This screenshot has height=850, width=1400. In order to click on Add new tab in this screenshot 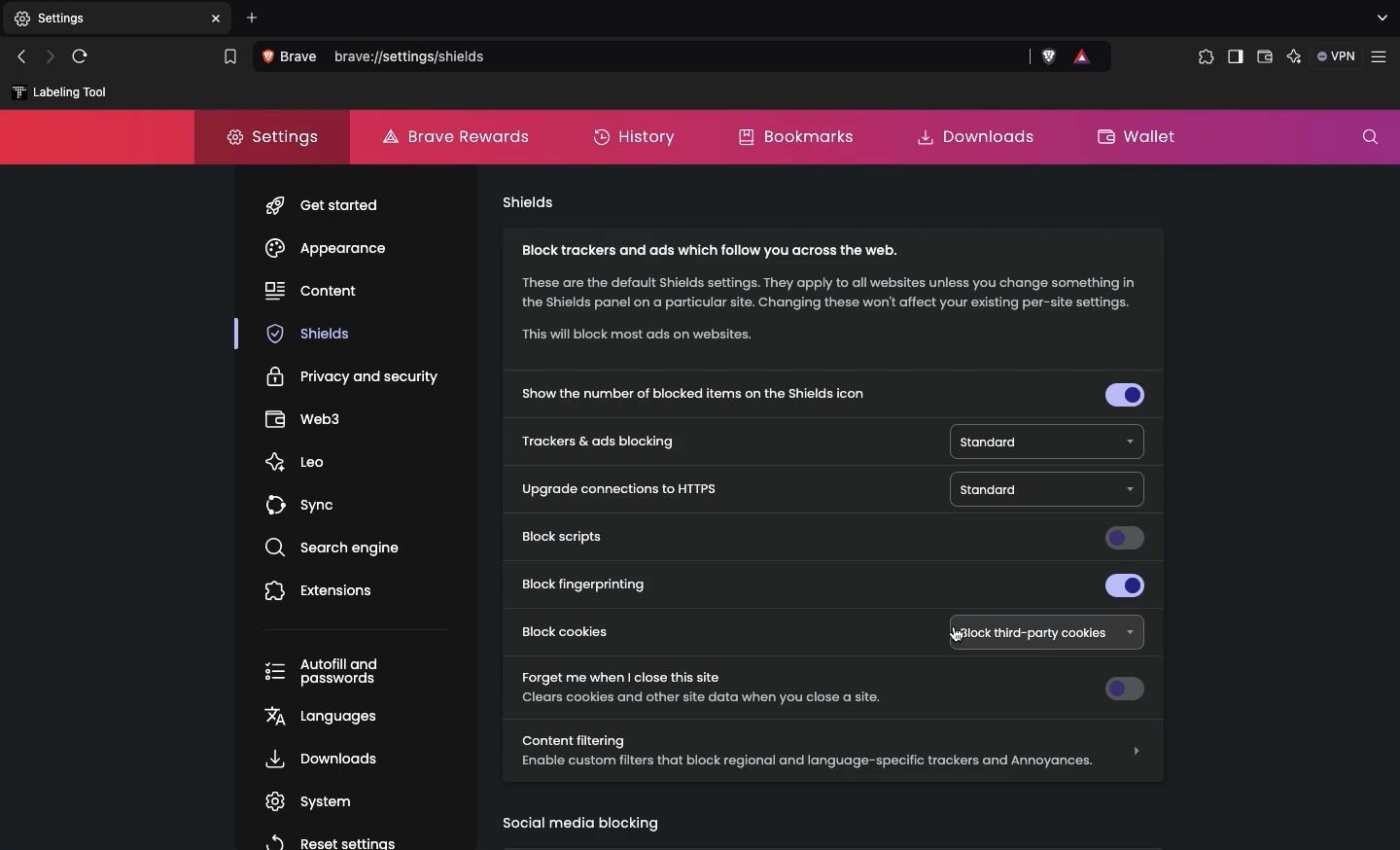, I will do `click(251, 17)`.